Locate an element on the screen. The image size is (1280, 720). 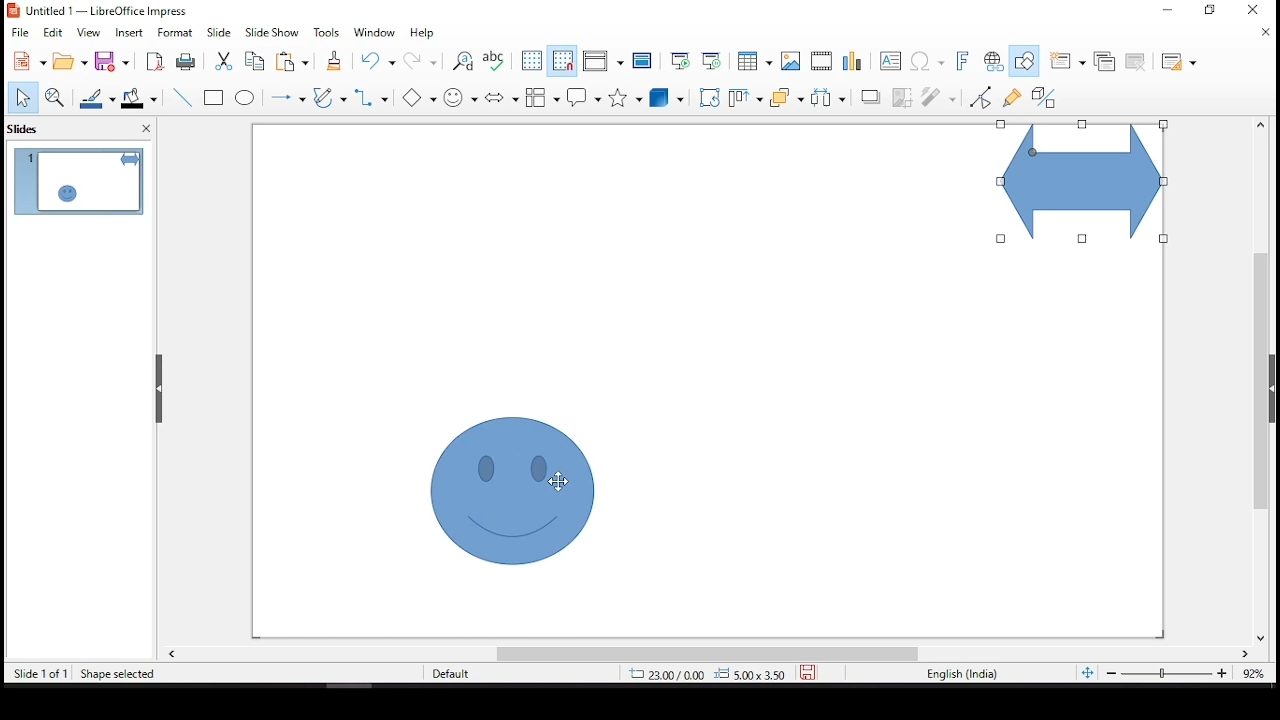
slide layout is located at coordinates (1179, 63).